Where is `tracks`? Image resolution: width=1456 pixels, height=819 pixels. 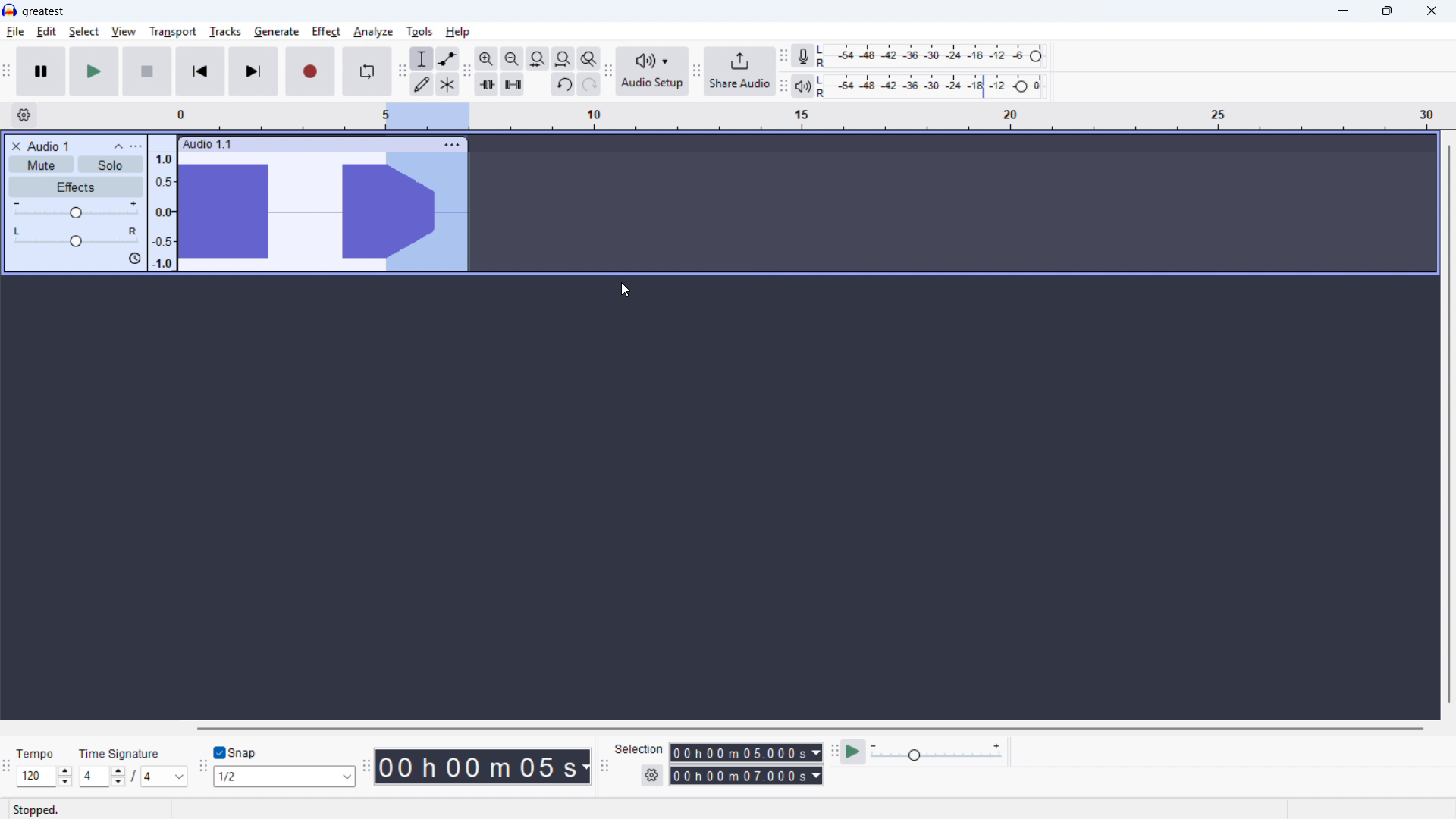 tracks is located at coordinates (226, 32).